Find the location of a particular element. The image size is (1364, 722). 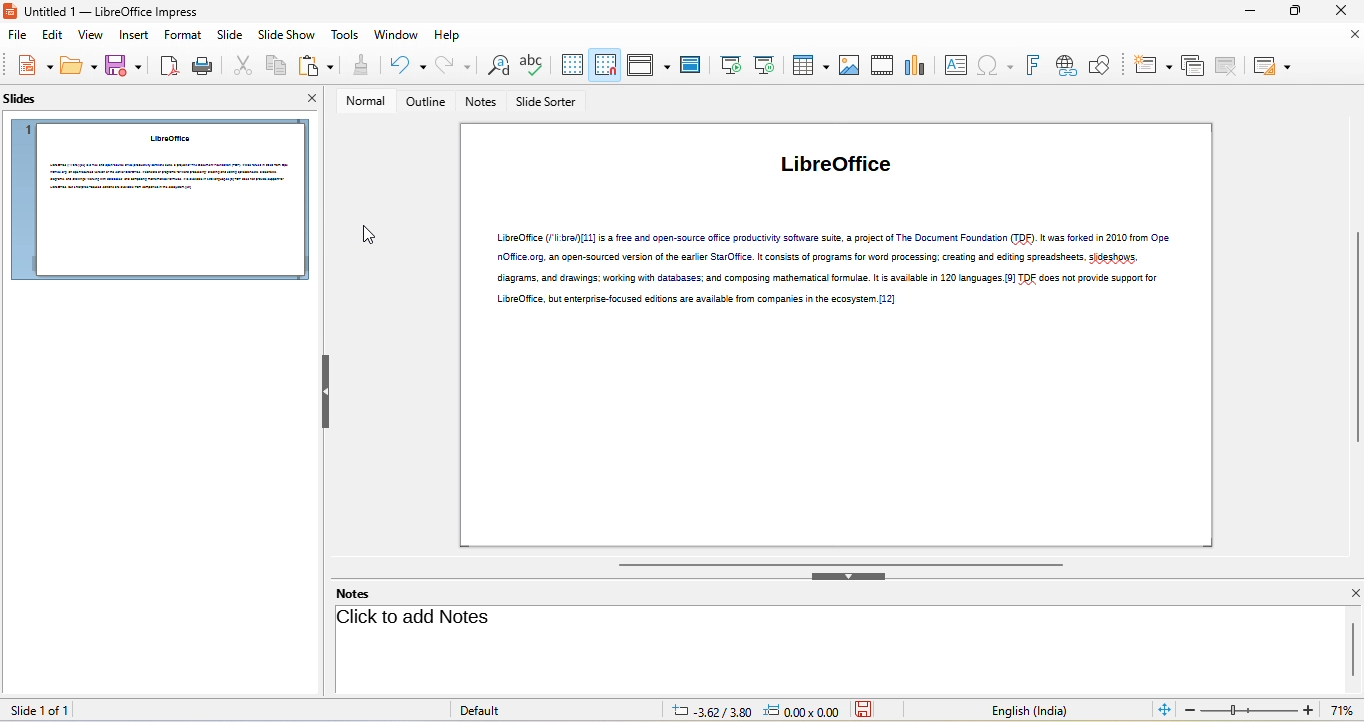

hyperlink is located at coordinates (1067, 67).